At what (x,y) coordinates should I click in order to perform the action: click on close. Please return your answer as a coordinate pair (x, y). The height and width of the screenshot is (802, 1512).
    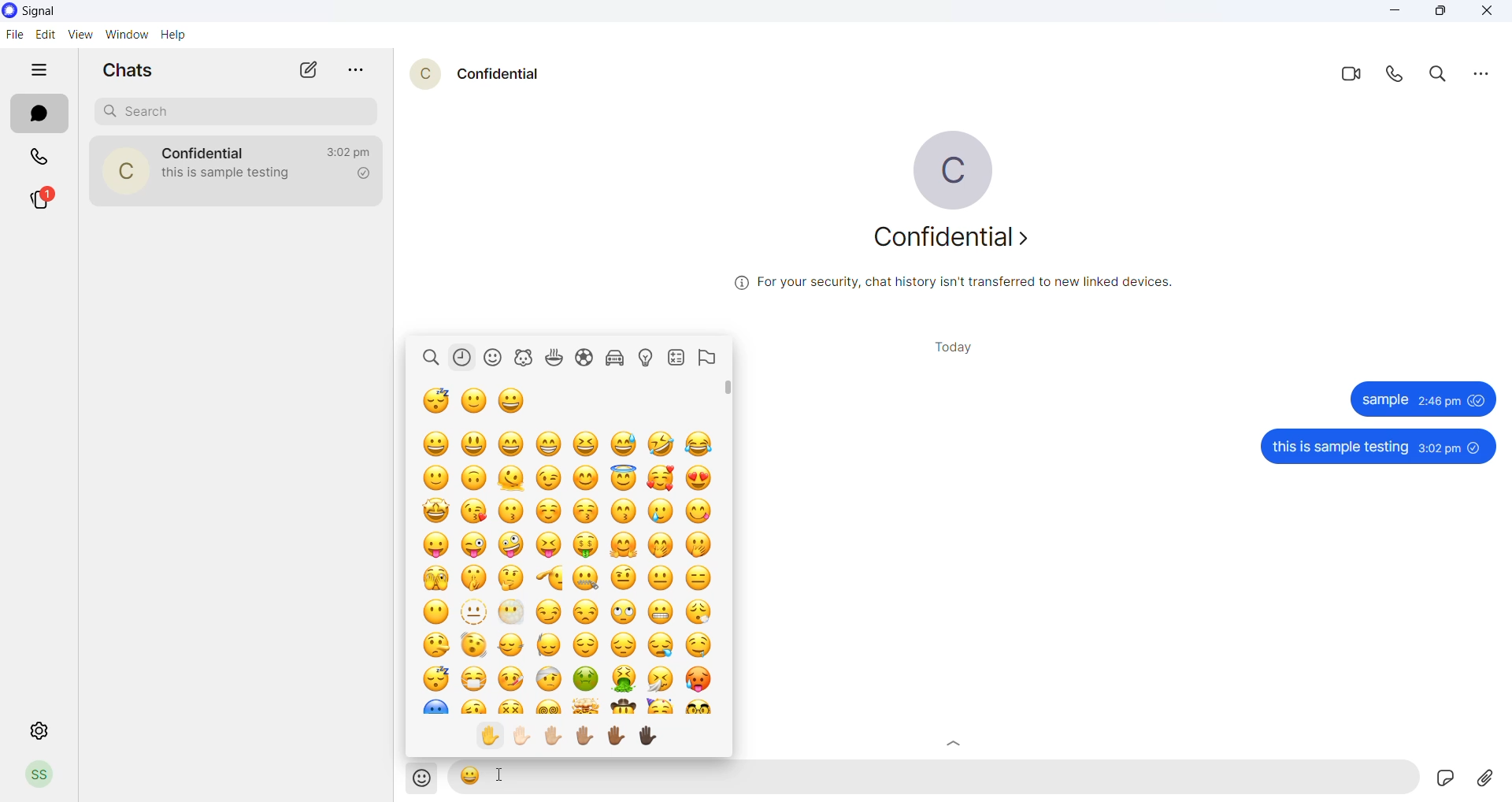
    Looking at the image, I should click on (1484, 13).